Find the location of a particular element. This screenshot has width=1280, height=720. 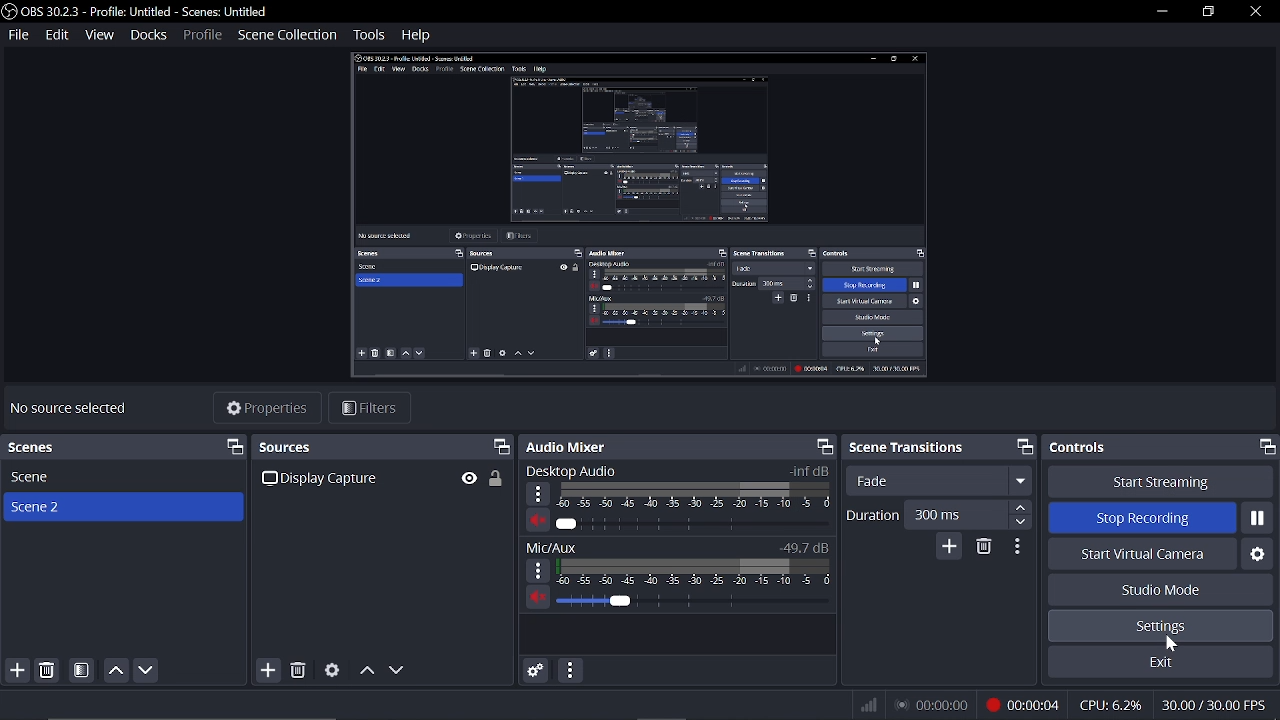

tools is located at coordinates (370, 36).